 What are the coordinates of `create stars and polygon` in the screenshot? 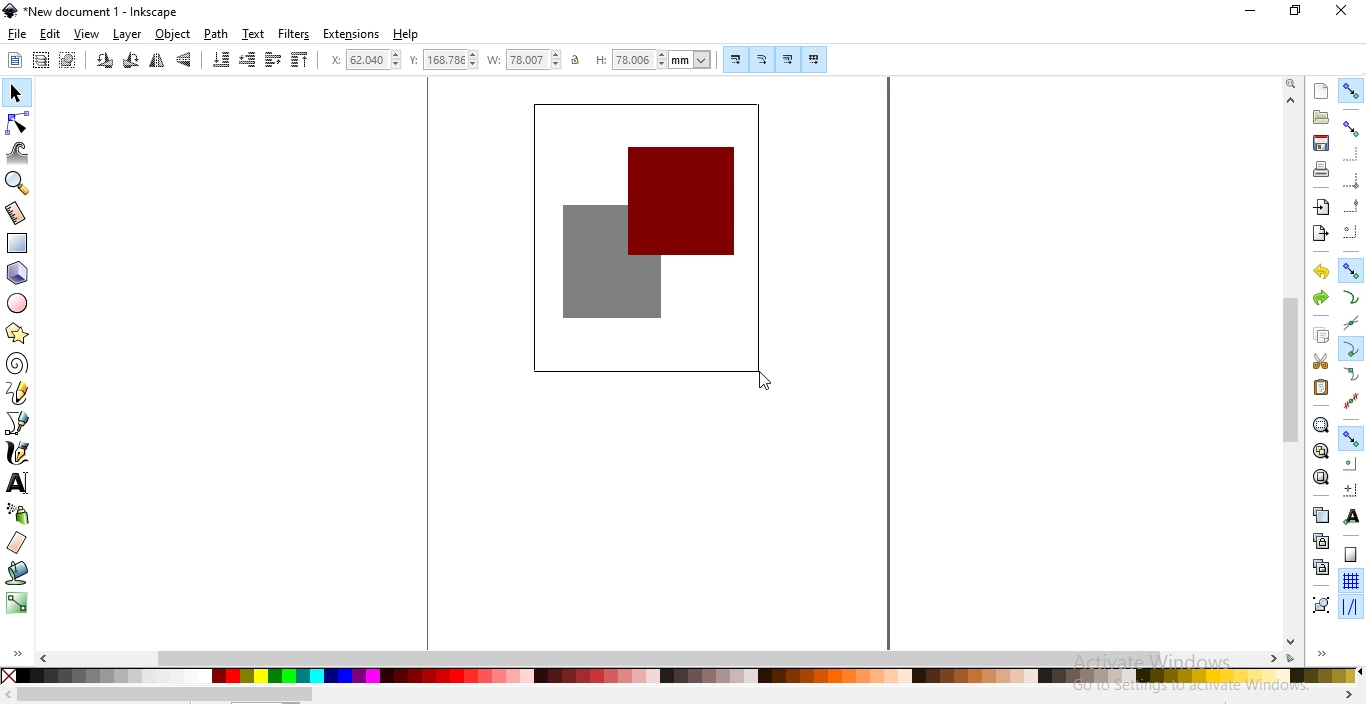 It's located at (20, 333).